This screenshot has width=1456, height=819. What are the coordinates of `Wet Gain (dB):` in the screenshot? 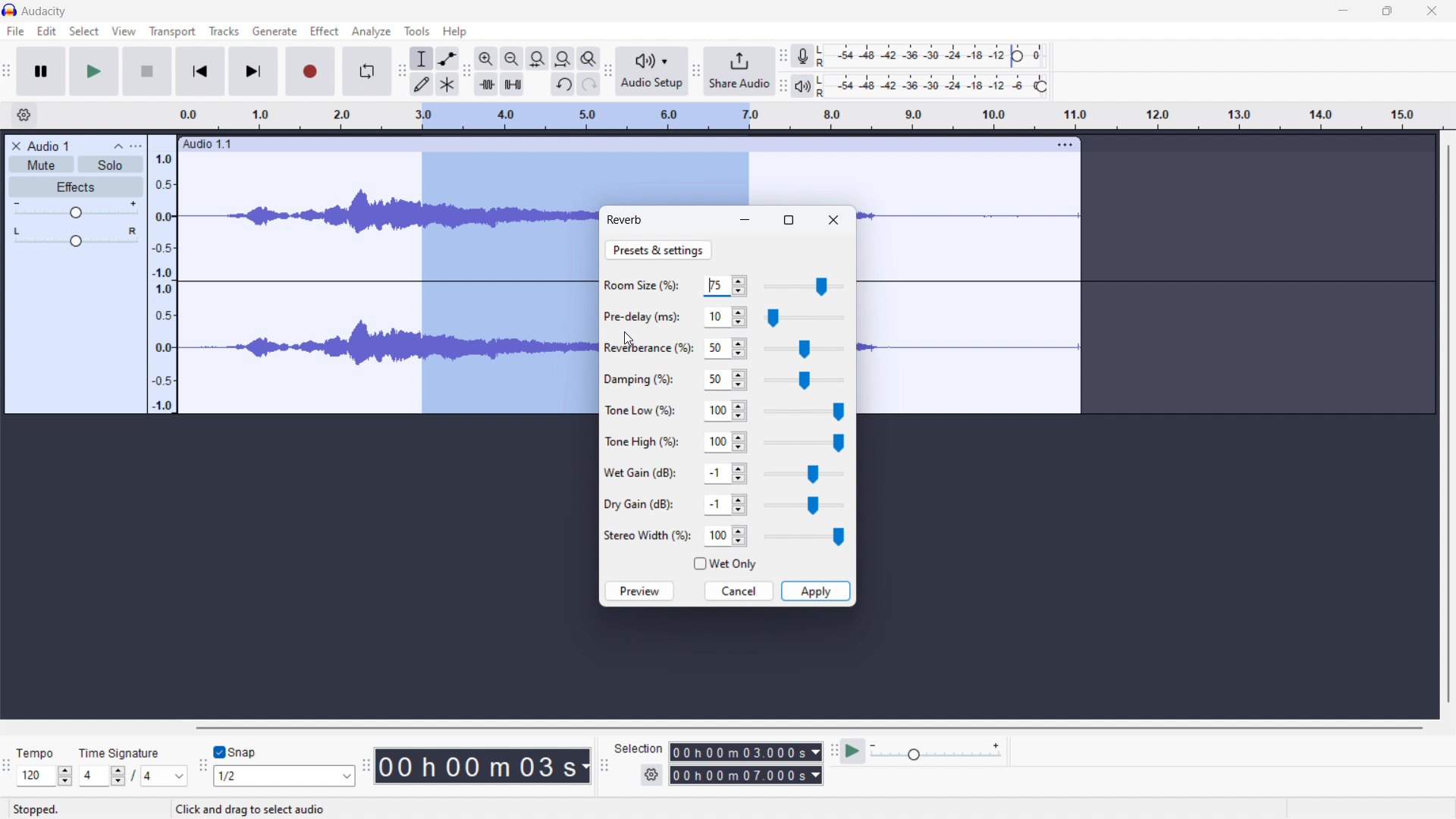 It's located at (641, 472).